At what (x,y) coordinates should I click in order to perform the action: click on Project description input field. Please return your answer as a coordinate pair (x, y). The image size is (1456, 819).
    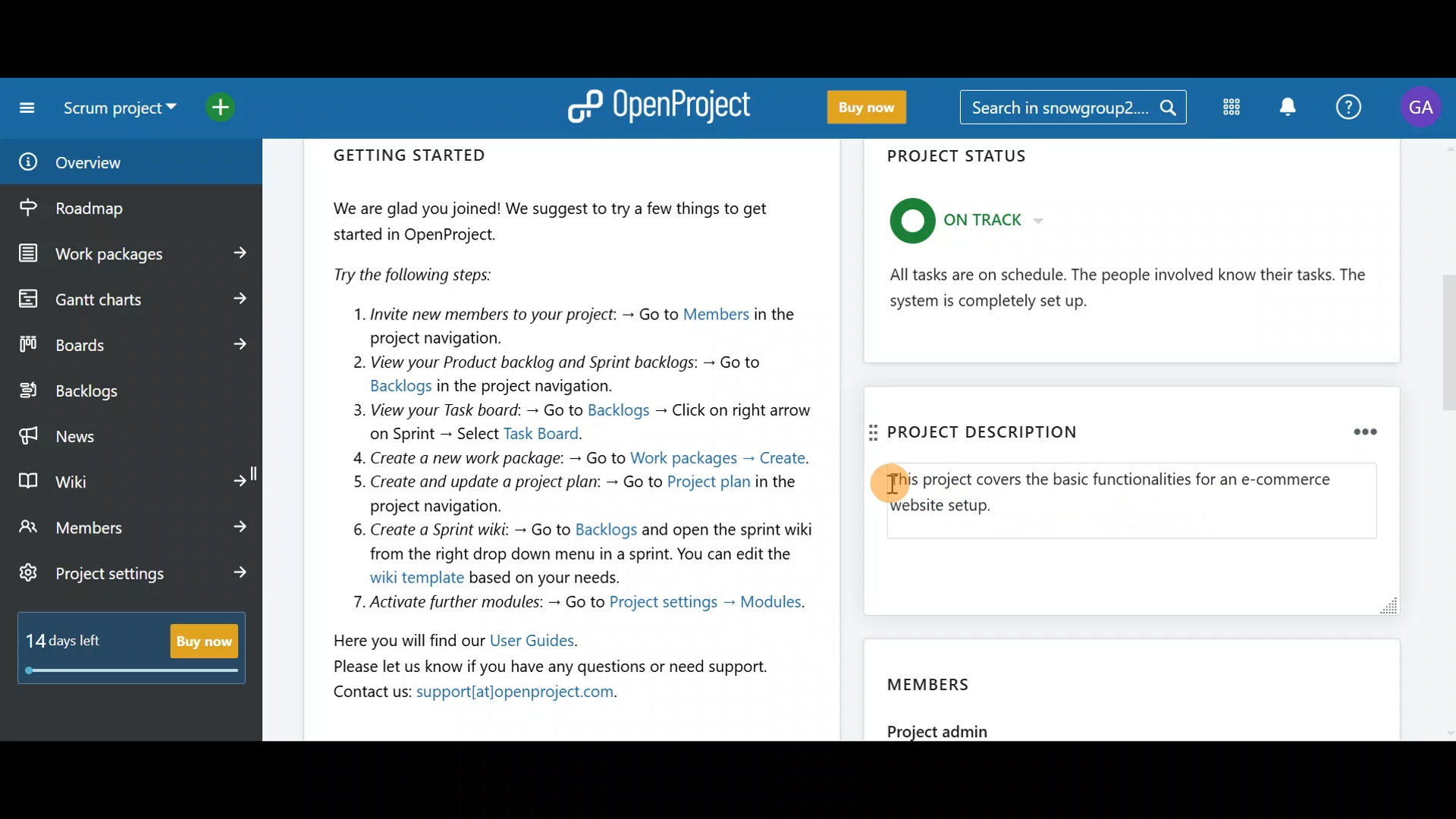
    Looking at the image, I should click on (1133, 502).